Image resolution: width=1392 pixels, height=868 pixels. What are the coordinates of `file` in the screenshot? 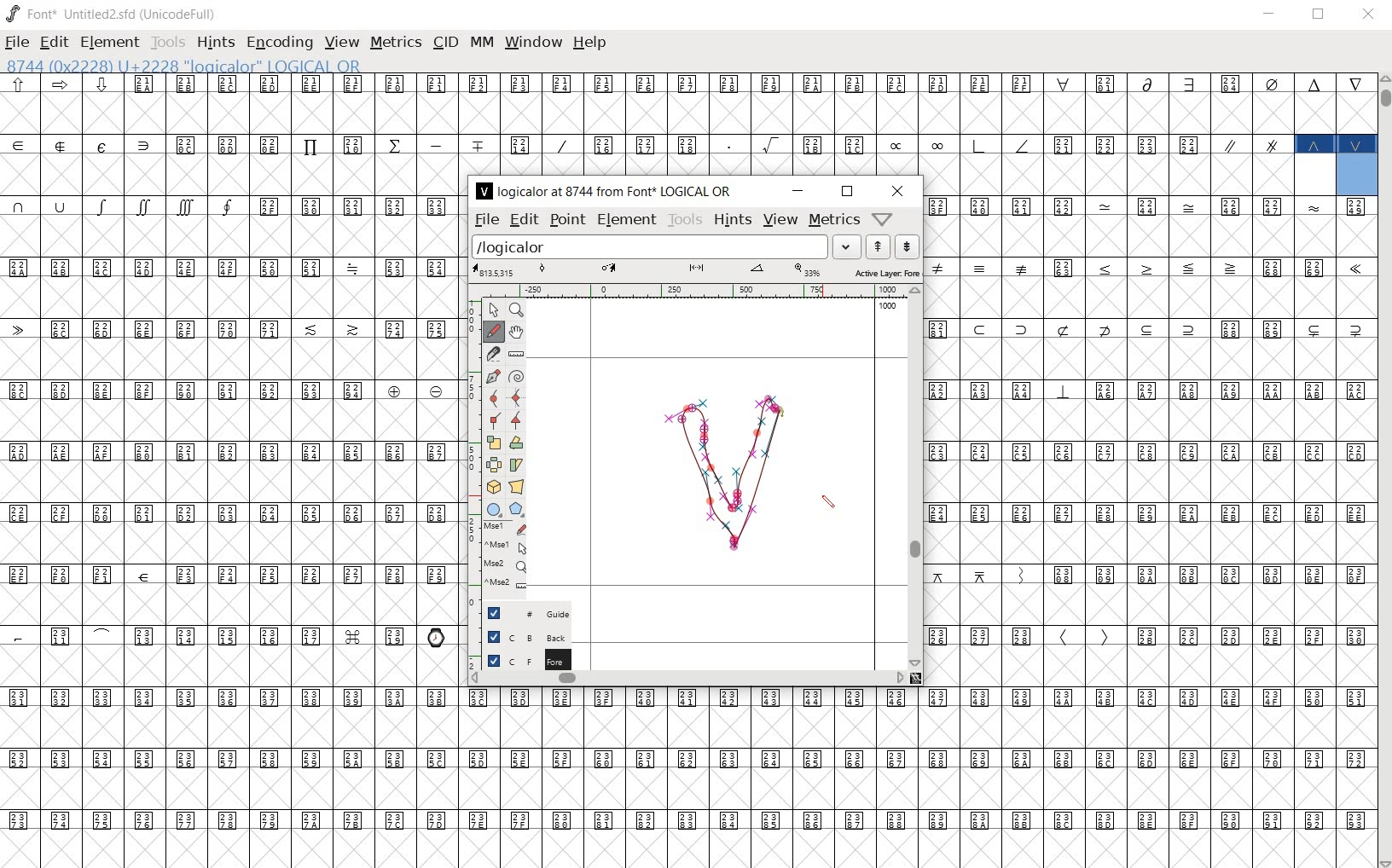 It's located at (18, 42).